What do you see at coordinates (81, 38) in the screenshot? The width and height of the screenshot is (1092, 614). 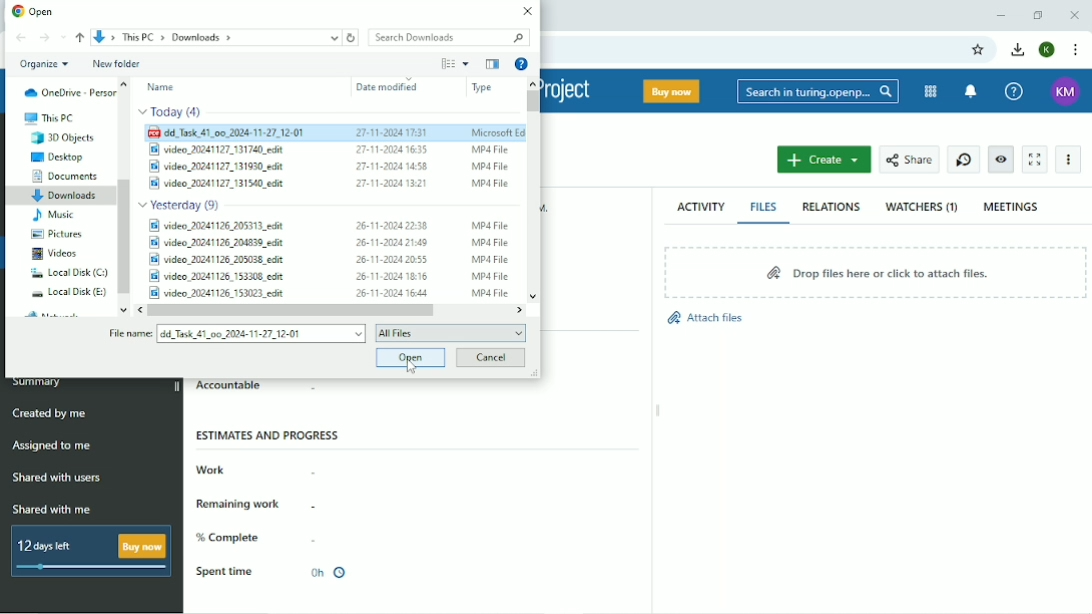 I see `Up to "This PC"` at bounding box center [81, 38].